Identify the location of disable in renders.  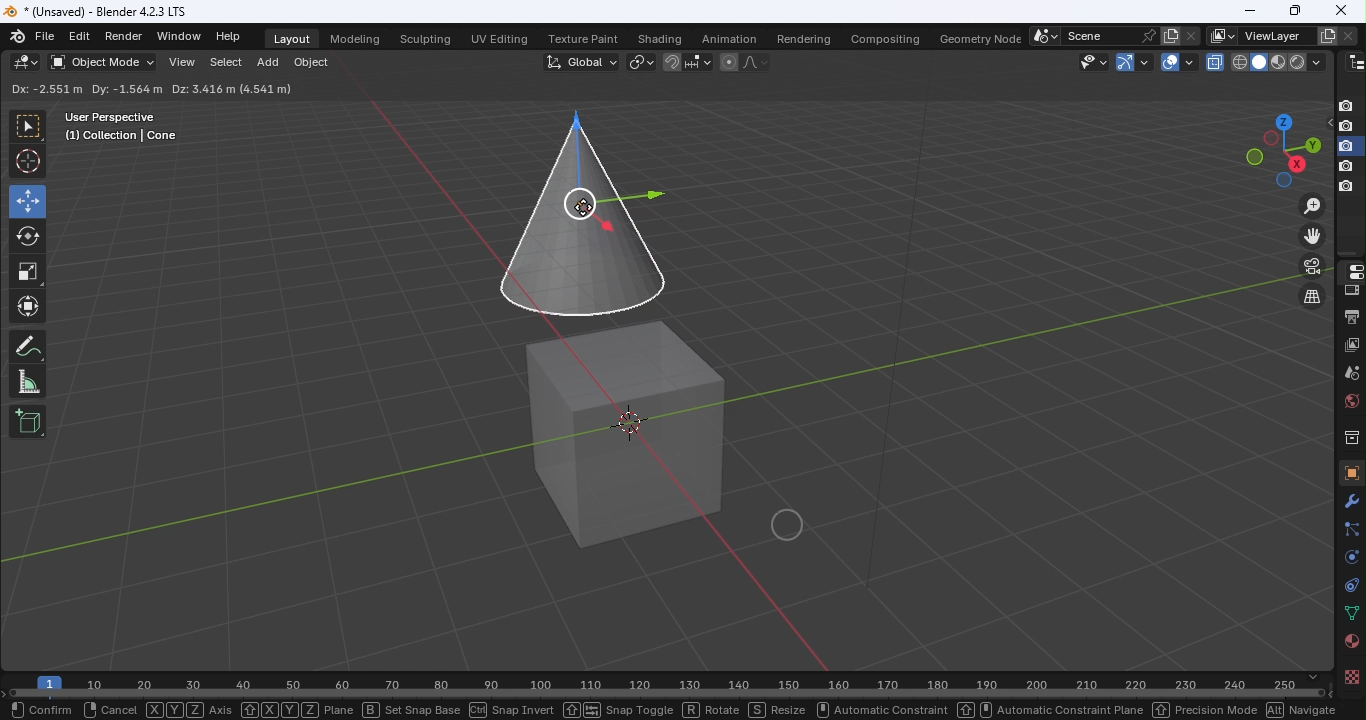
(1346, 187).